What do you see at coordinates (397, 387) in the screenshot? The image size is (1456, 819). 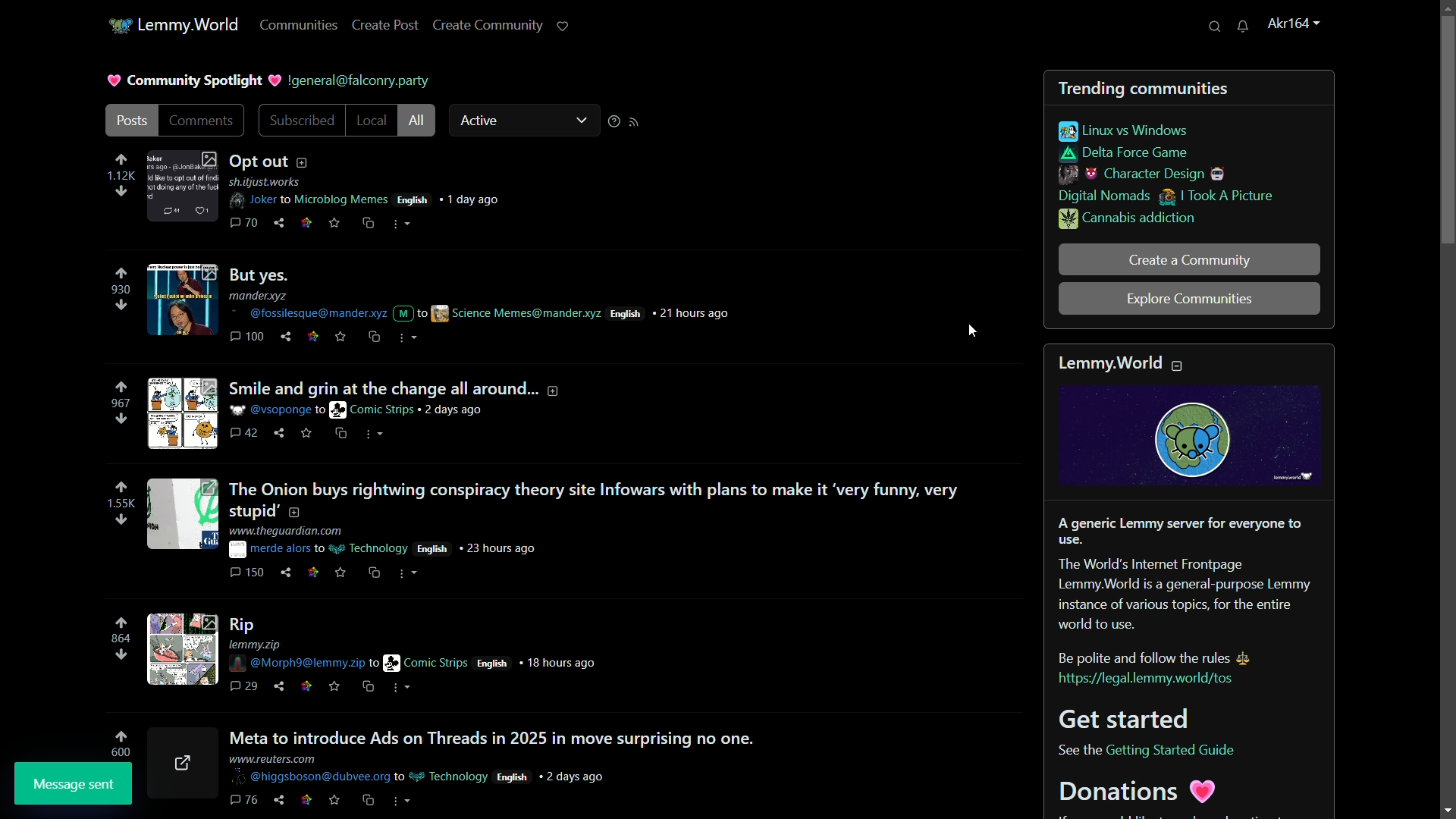 I see `post-3` at bounding box center [397, 387].